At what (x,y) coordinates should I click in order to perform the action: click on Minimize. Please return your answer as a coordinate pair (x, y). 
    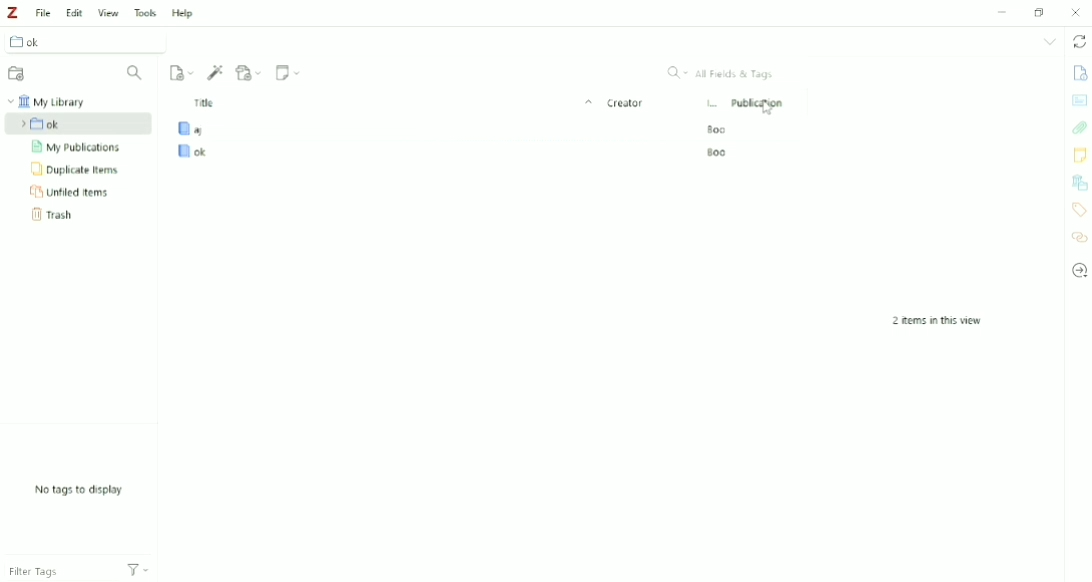
    Looking at the image, I should click on (1004, 12).